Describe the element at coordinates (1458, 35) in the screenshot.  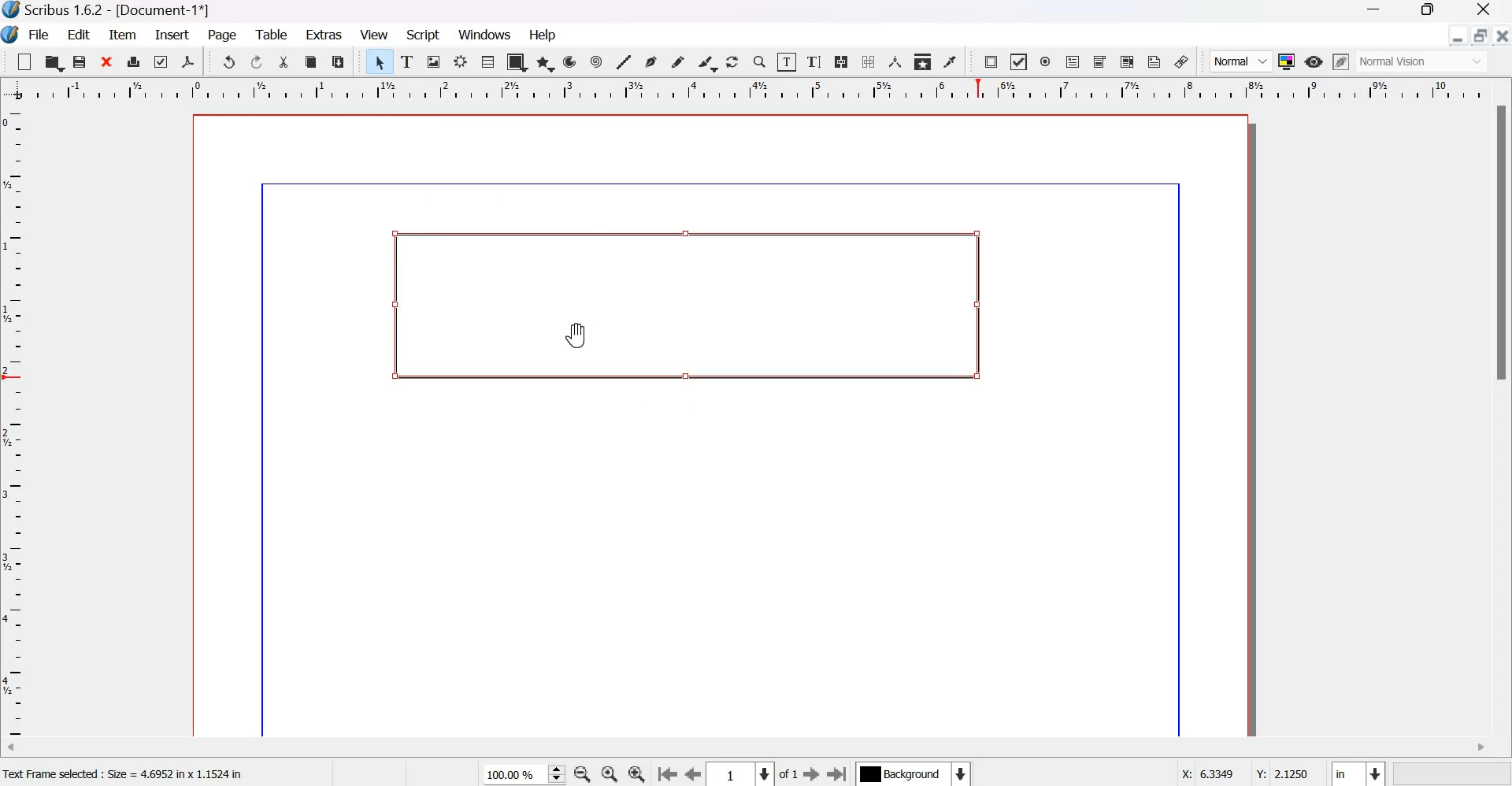
I see `minimize` at that location.